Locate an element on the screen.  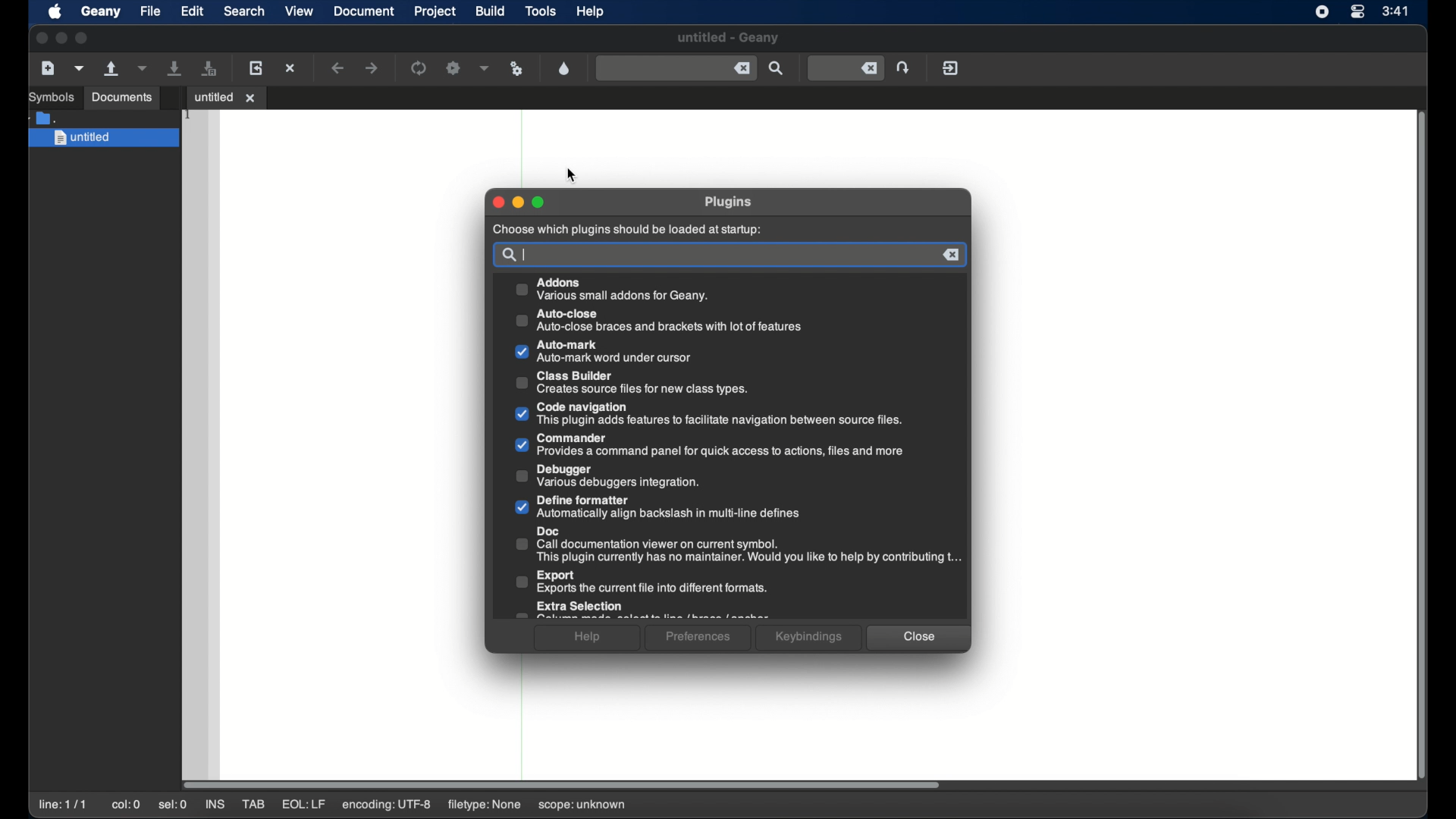
find entered text in current file is located at coordinates (676, 69).